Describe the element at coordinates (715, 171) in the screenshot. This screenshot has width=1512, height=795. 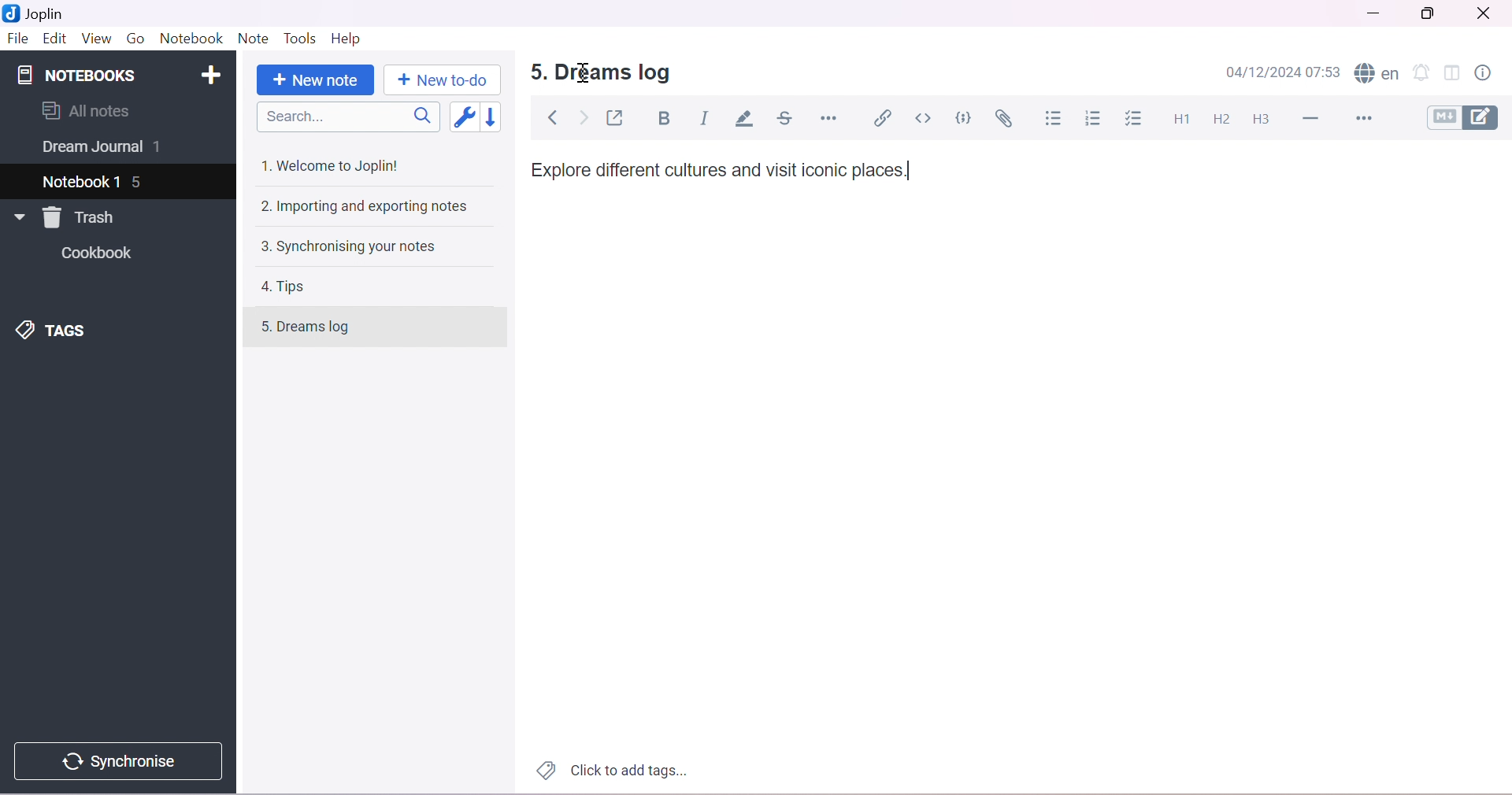
I see `Explore different cultures and visit iconic places.` at that location.